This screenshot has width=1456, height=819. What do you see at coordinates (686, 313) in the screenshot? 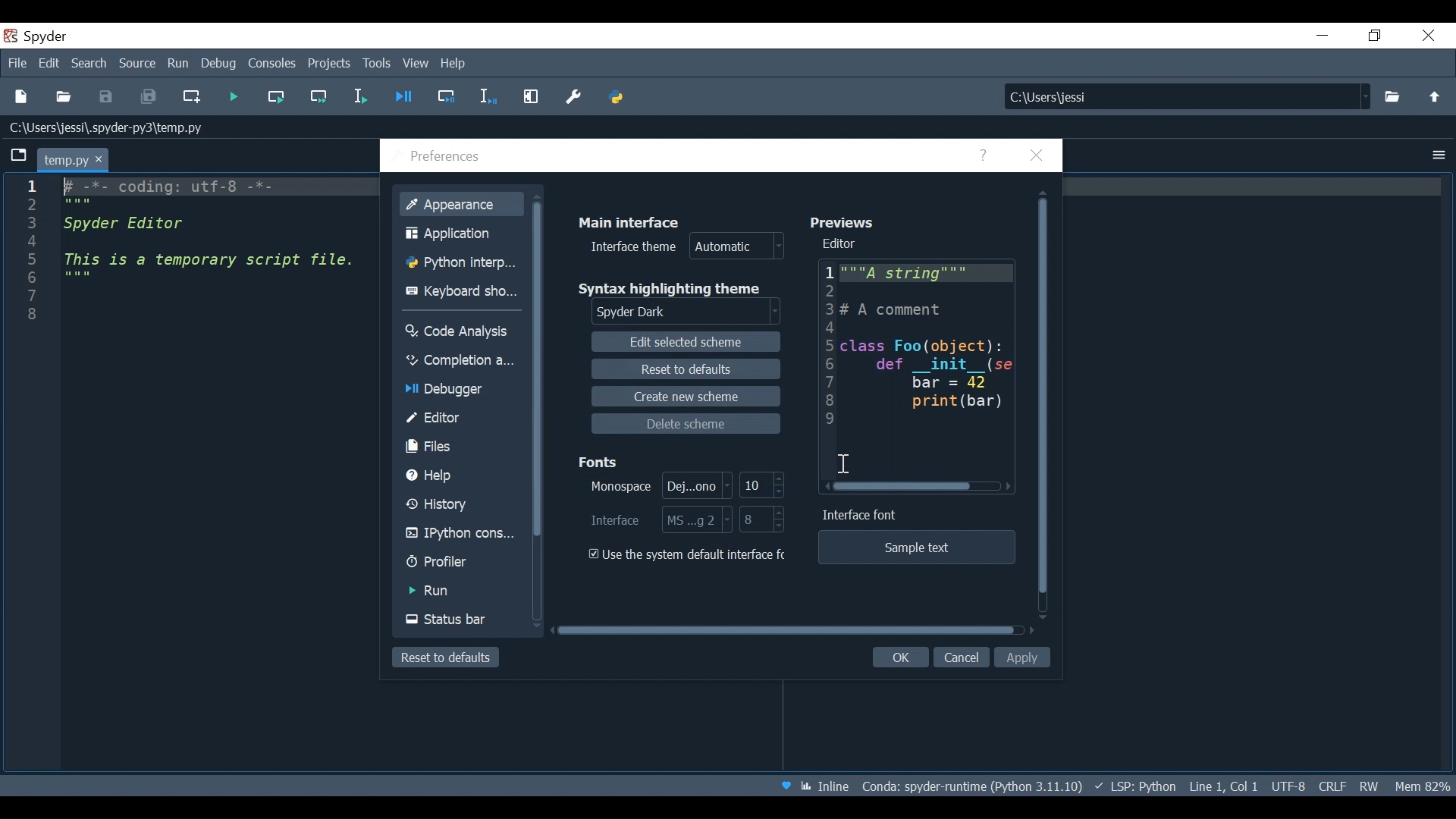
I see `Select Syntax highlighting theme` at bounding box center [686, 313].